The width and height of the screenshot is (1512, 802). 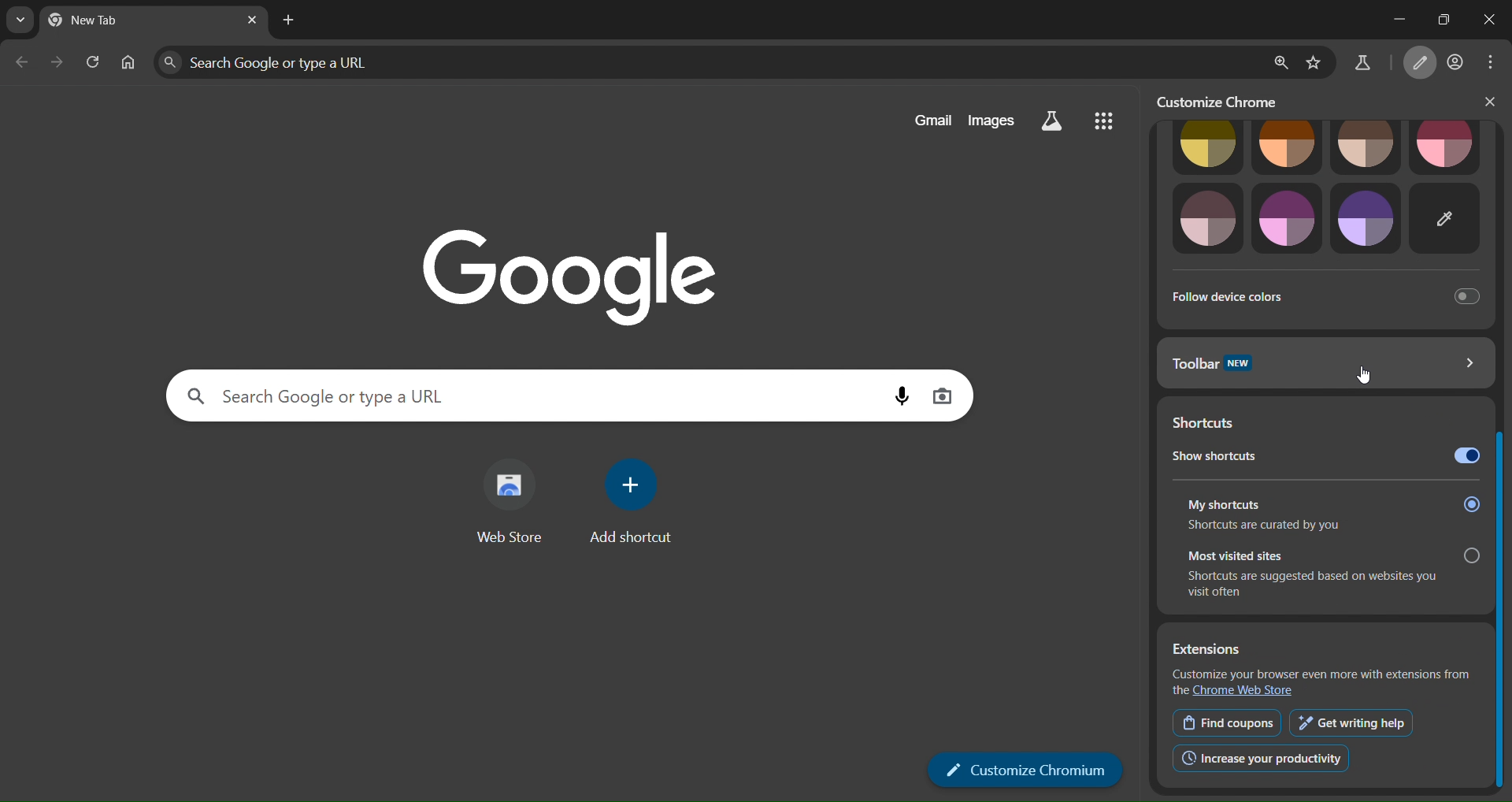 I want to click on minimize, so click(x=1392, y=13).